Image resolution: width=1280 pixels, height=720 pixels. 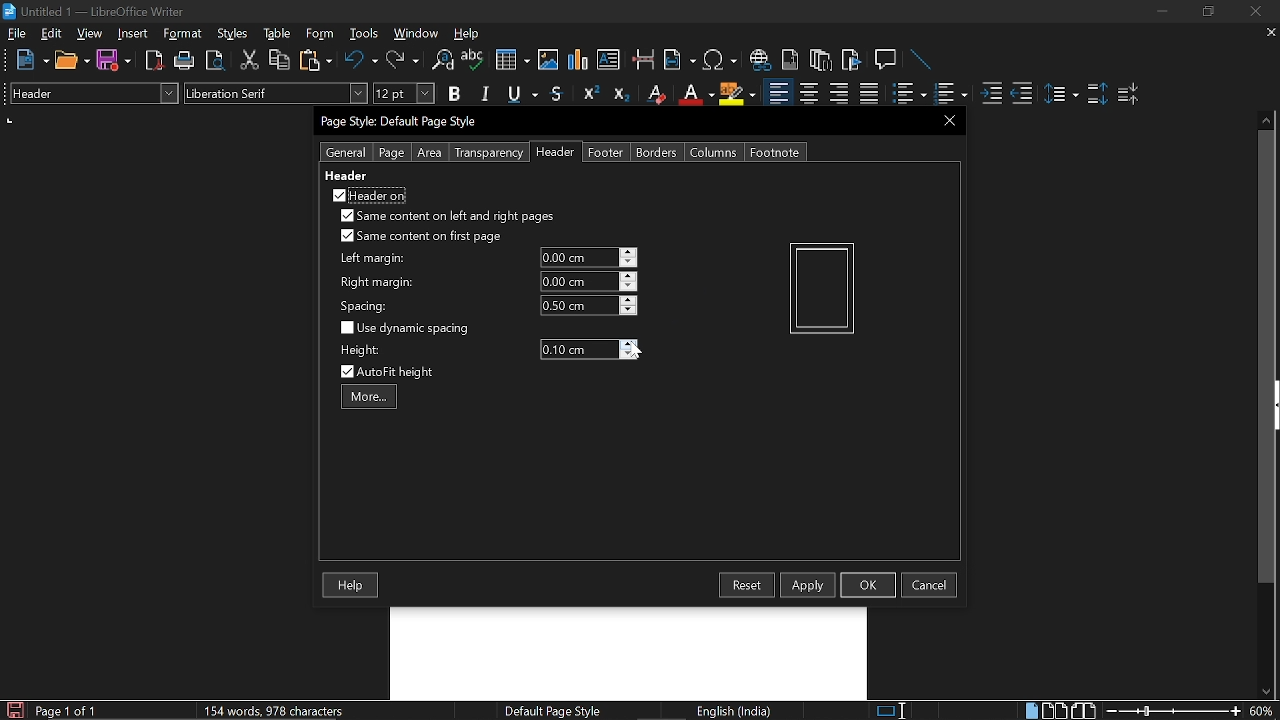 What do you see at coordinates (808, 584) in the screenshot?
I see `Apply` at bounding box center [808, 584].